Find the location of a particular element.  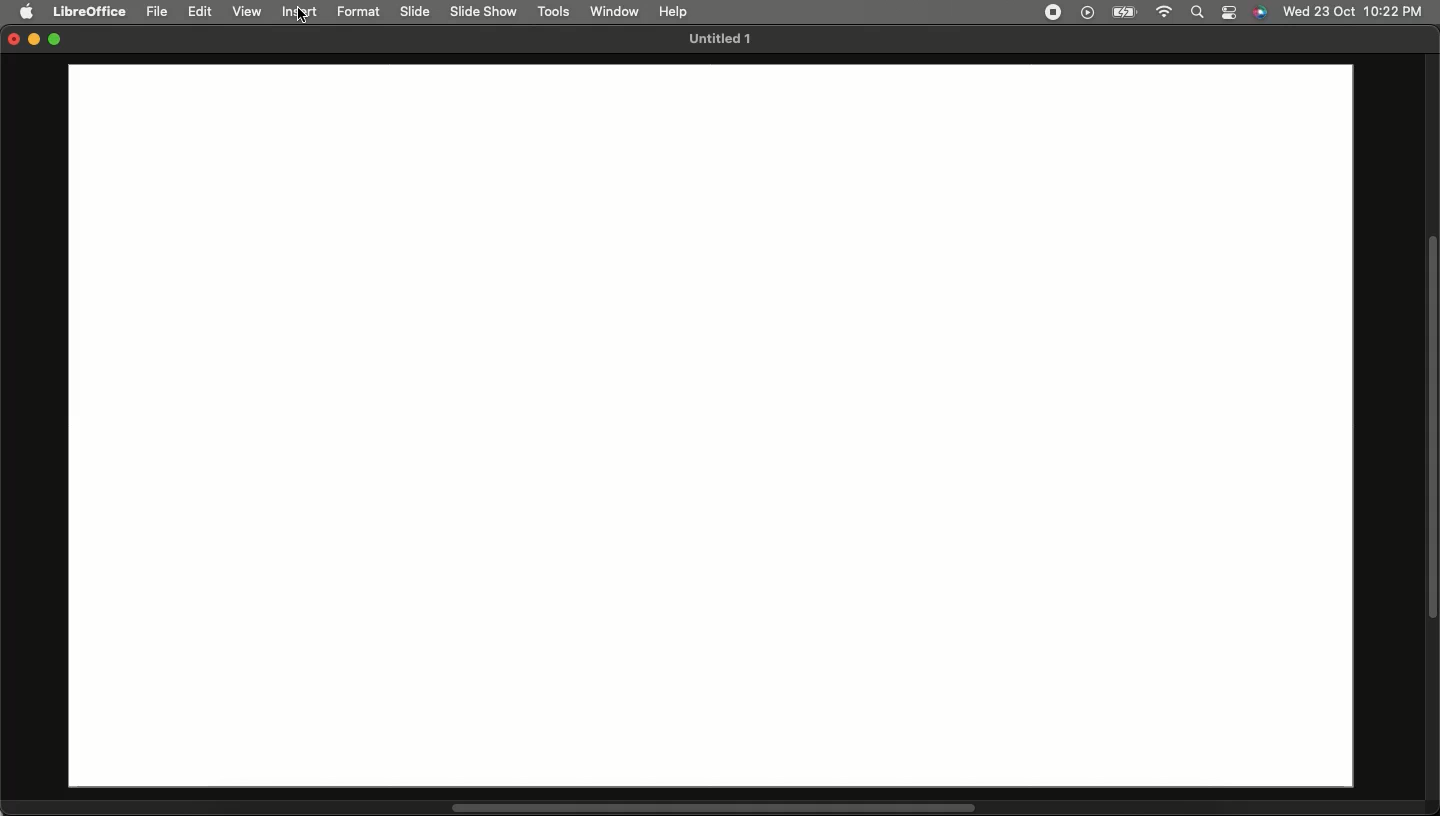

Edit is located at coordinates (202, 12).